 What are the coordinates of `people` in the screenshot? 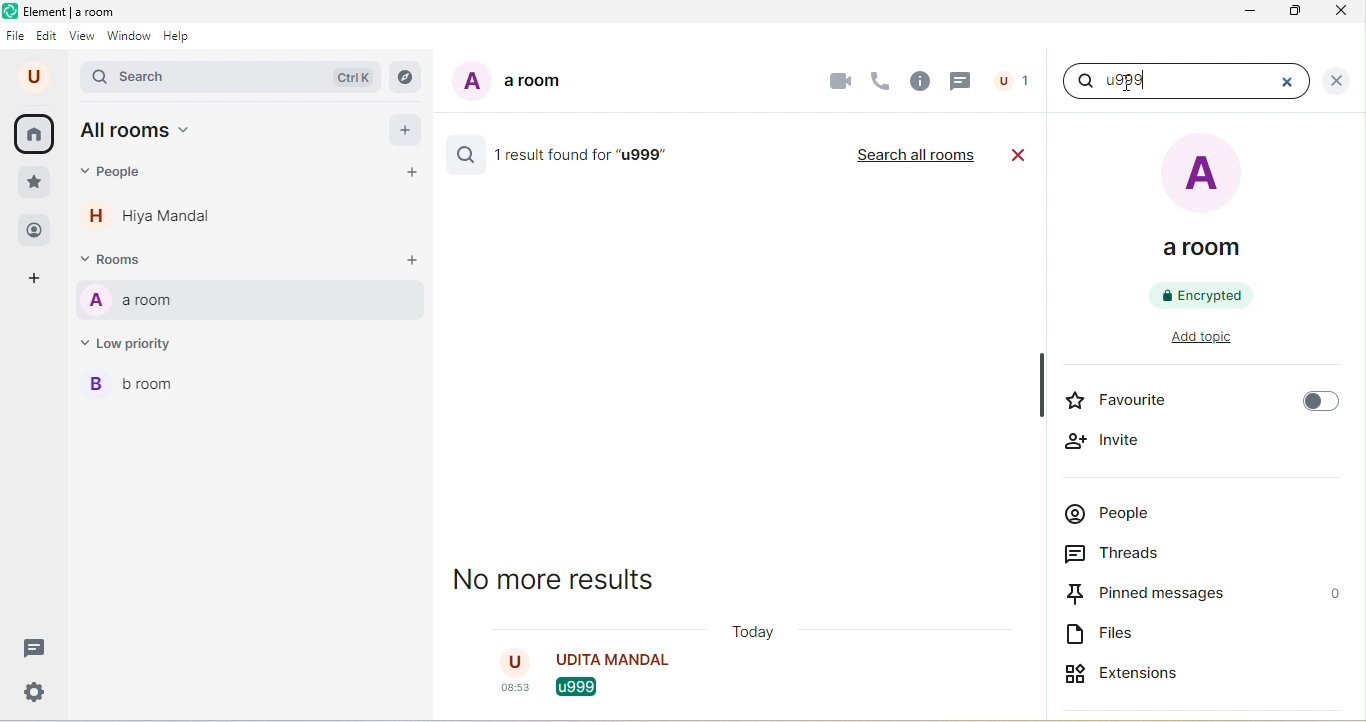 It's located at (117, 176).